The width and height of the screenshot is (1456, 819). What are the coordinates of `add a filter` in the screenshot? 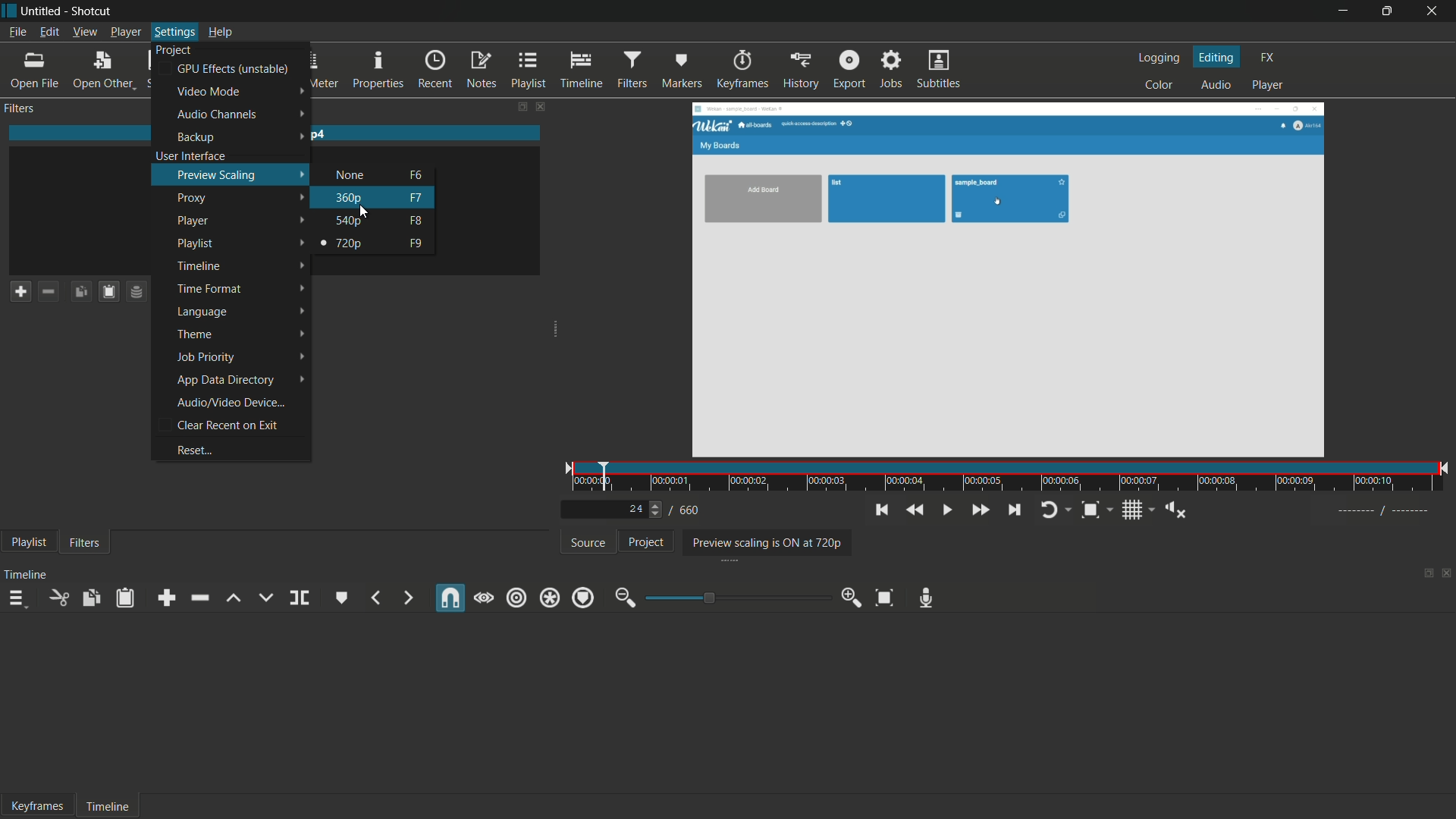 It's located at (17, 292).